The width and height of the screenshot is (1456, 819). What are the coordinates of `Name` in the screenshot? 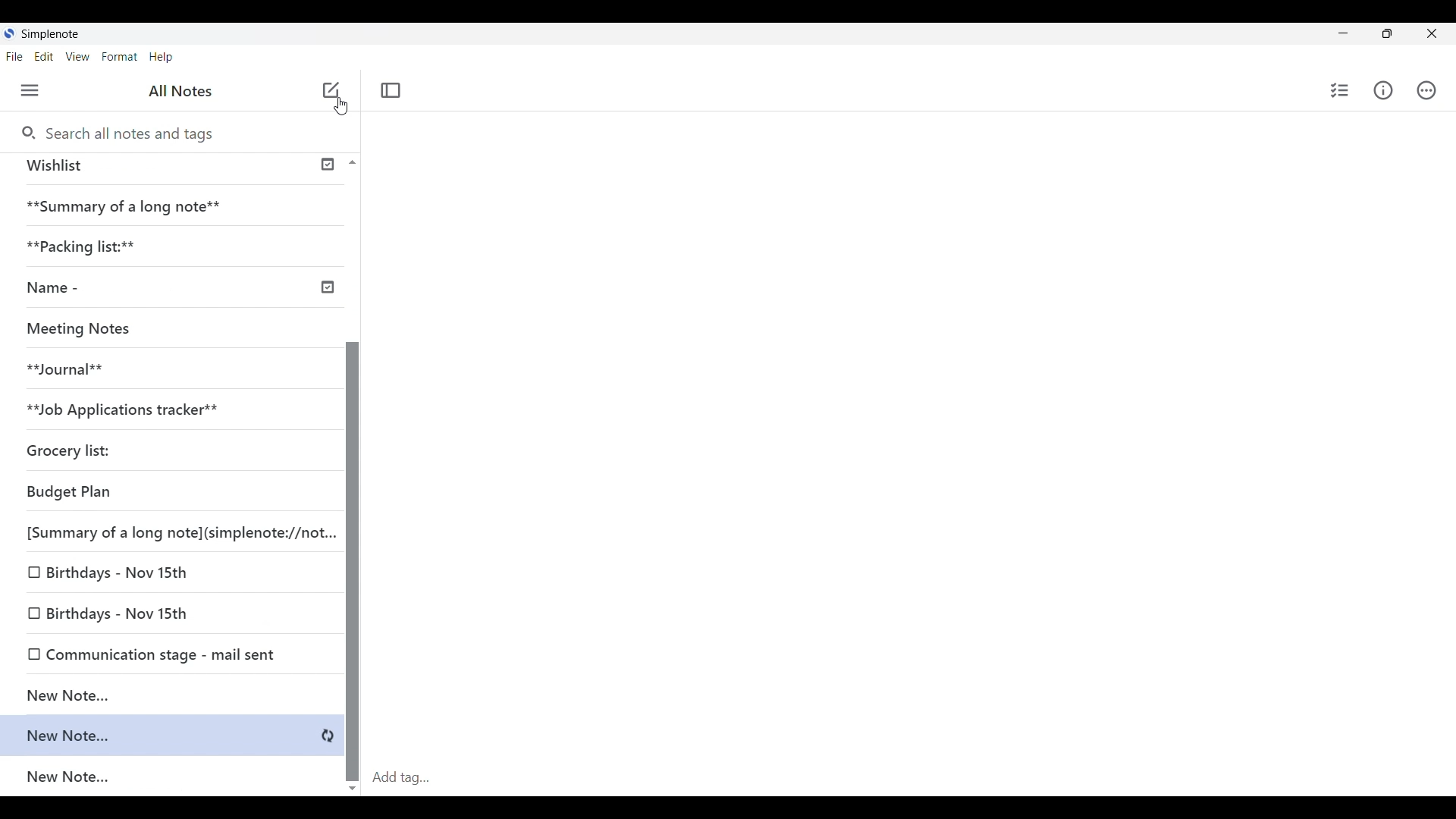 It's located at (179, 285).